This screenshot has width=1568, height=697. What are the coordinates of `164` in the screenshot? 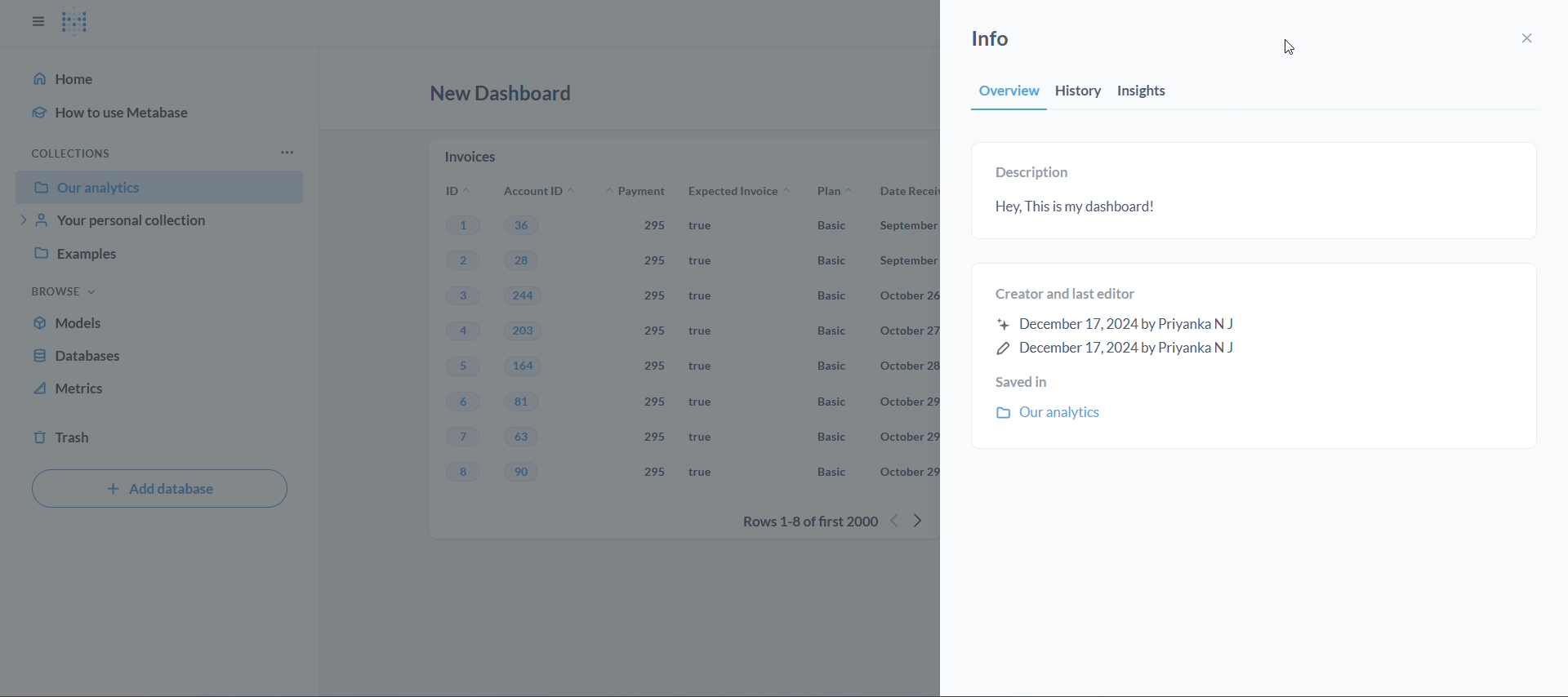 It's located at (523, 366).